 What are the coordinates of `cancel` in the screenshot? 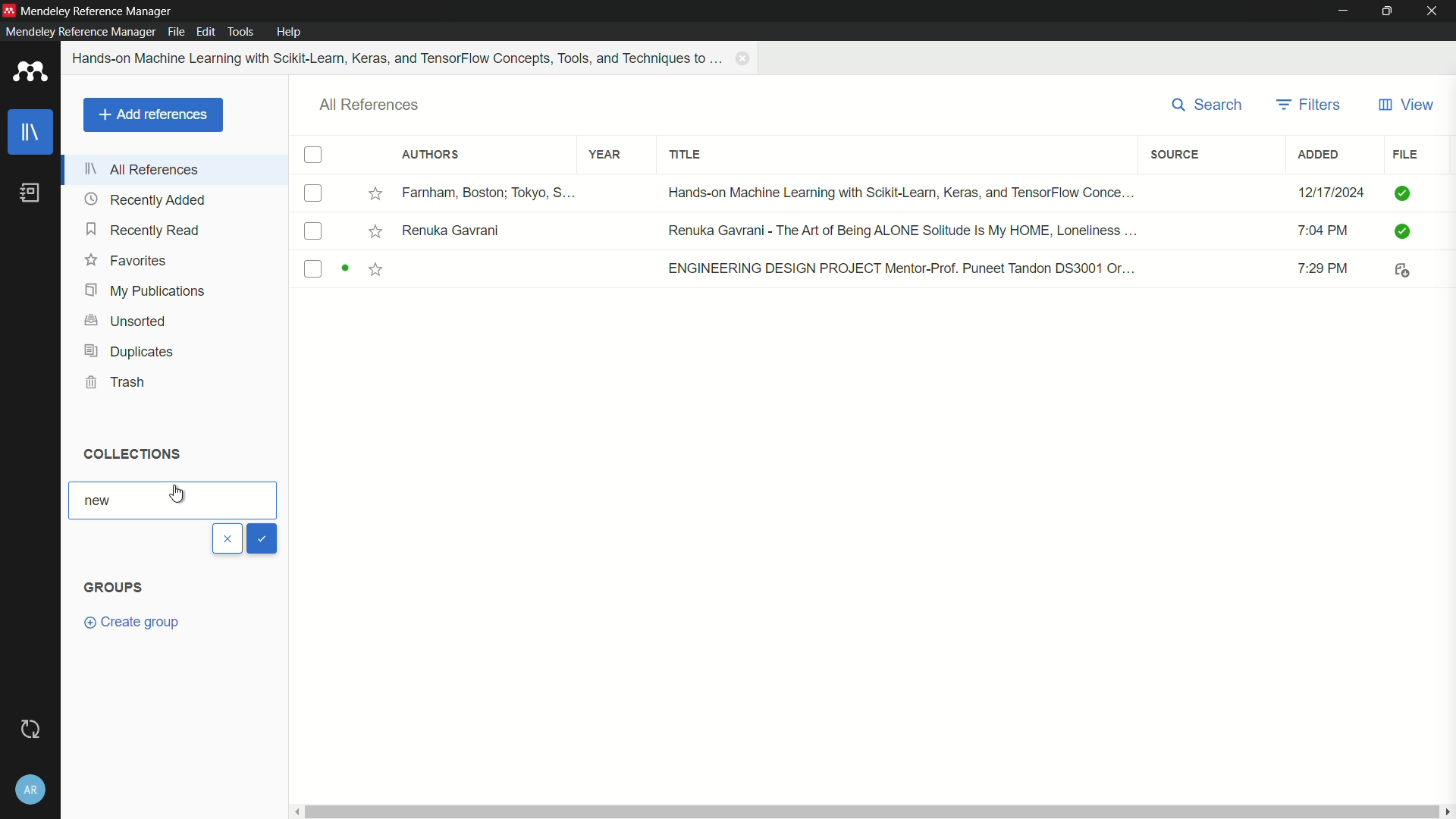 It's located at (227, 538).